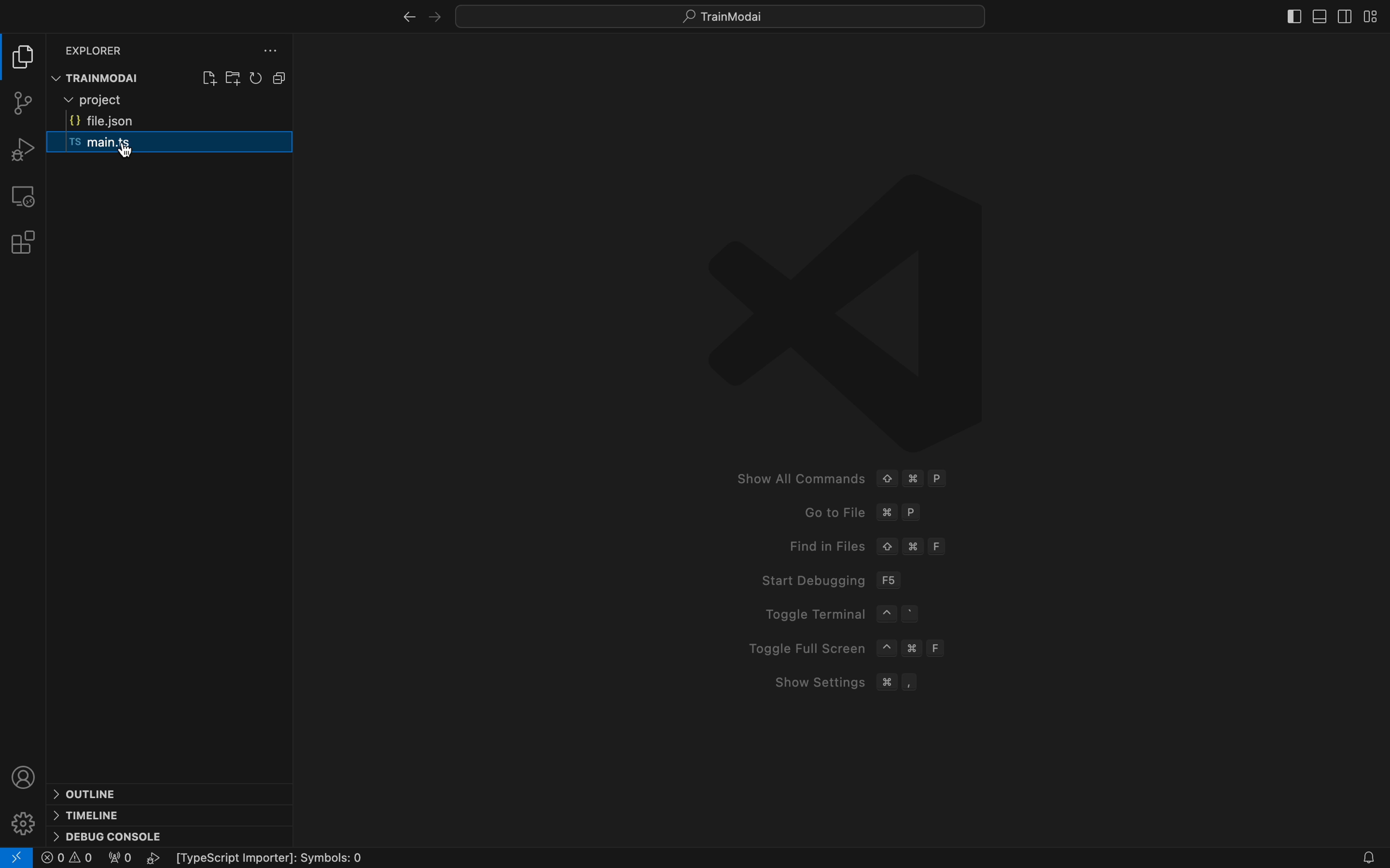  Describe the element at coordinates (257, 80) in the screenshot. I see `reload` at that location.